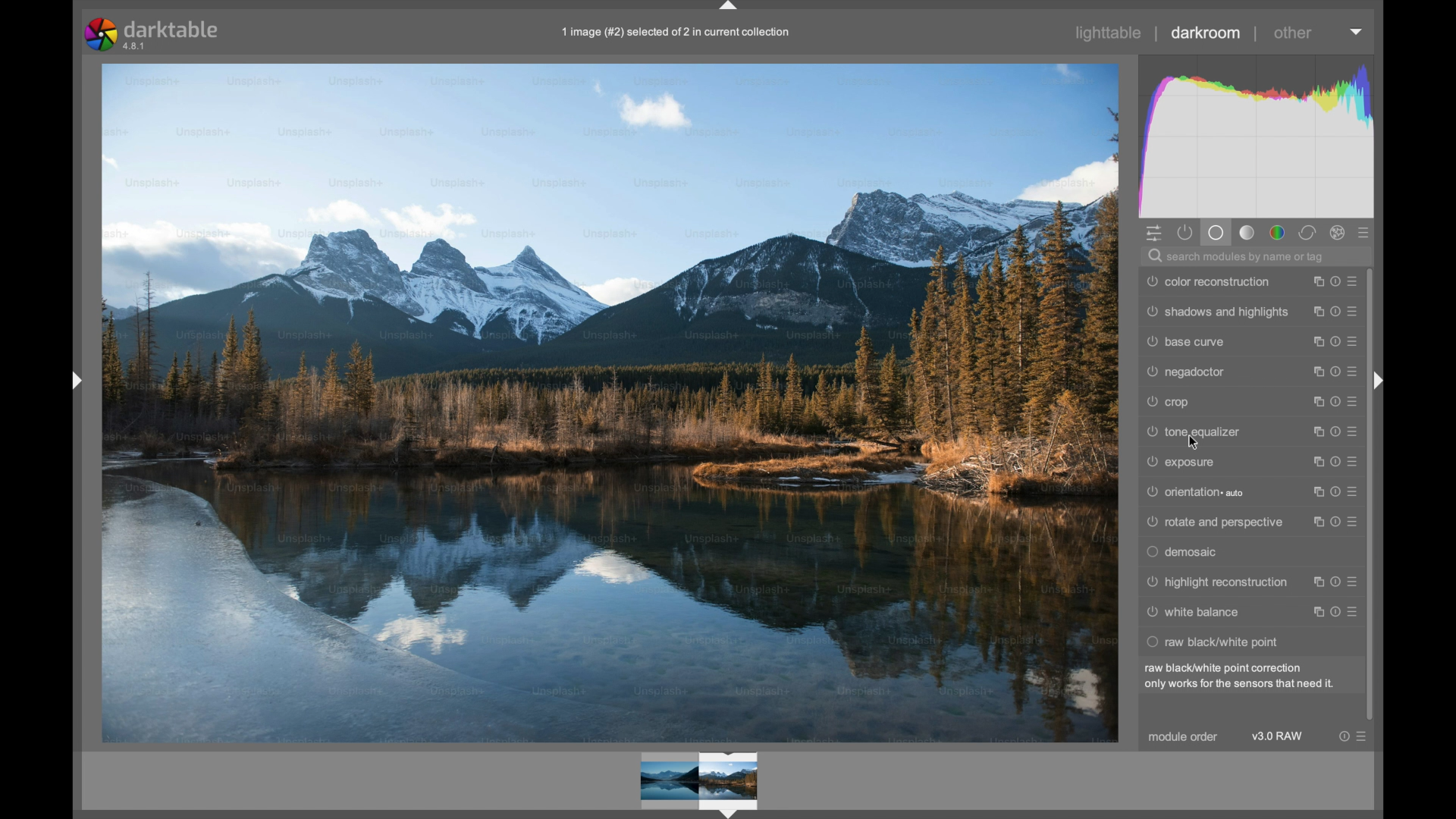  Describe the element at coordinates (1358, 30) in the screenshot. I see `dropdown ` at that location.